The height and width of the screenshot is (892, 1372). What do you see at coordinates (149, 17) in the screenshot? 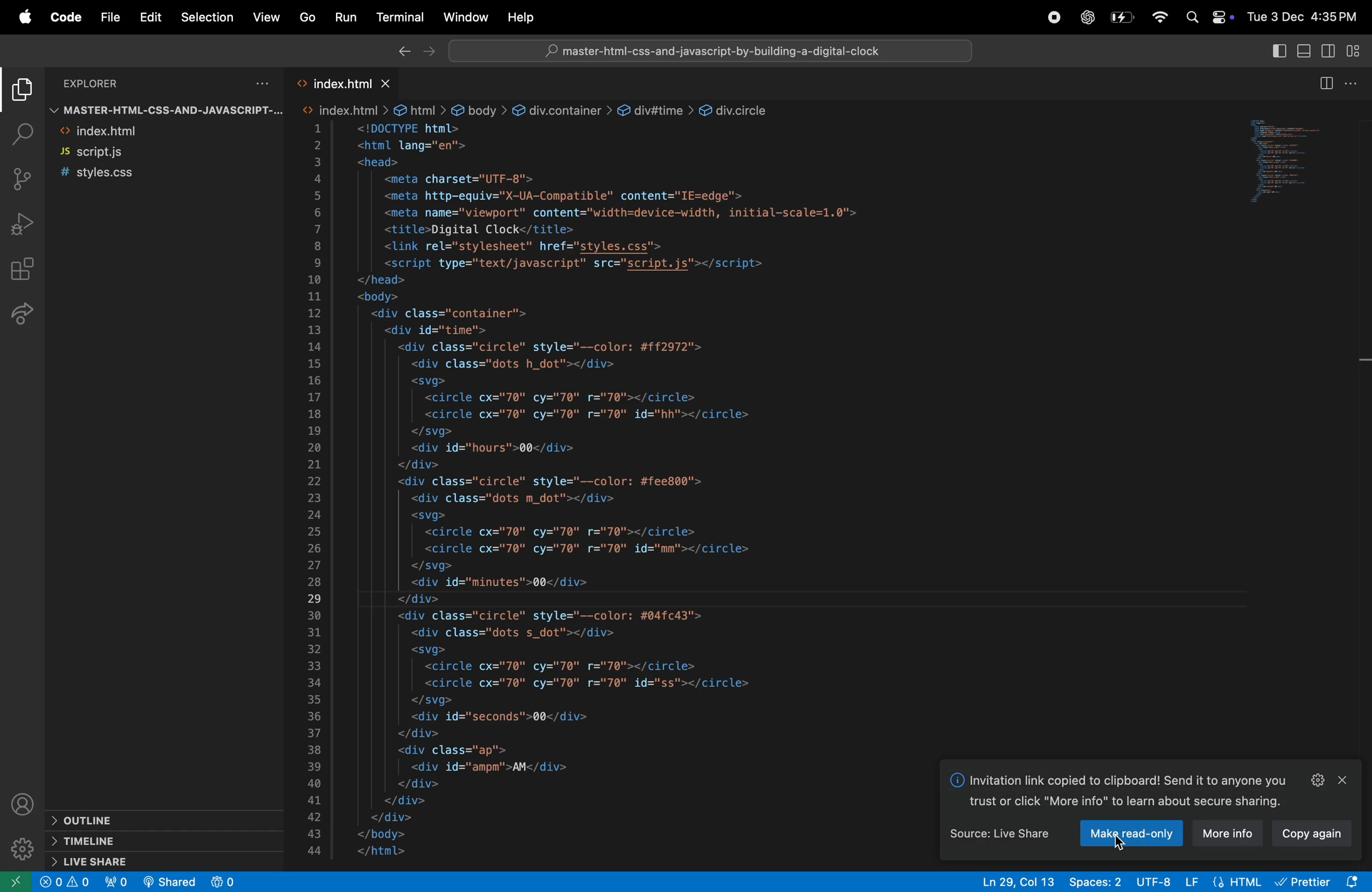
I see `edit` at bounding box center [149, 17].